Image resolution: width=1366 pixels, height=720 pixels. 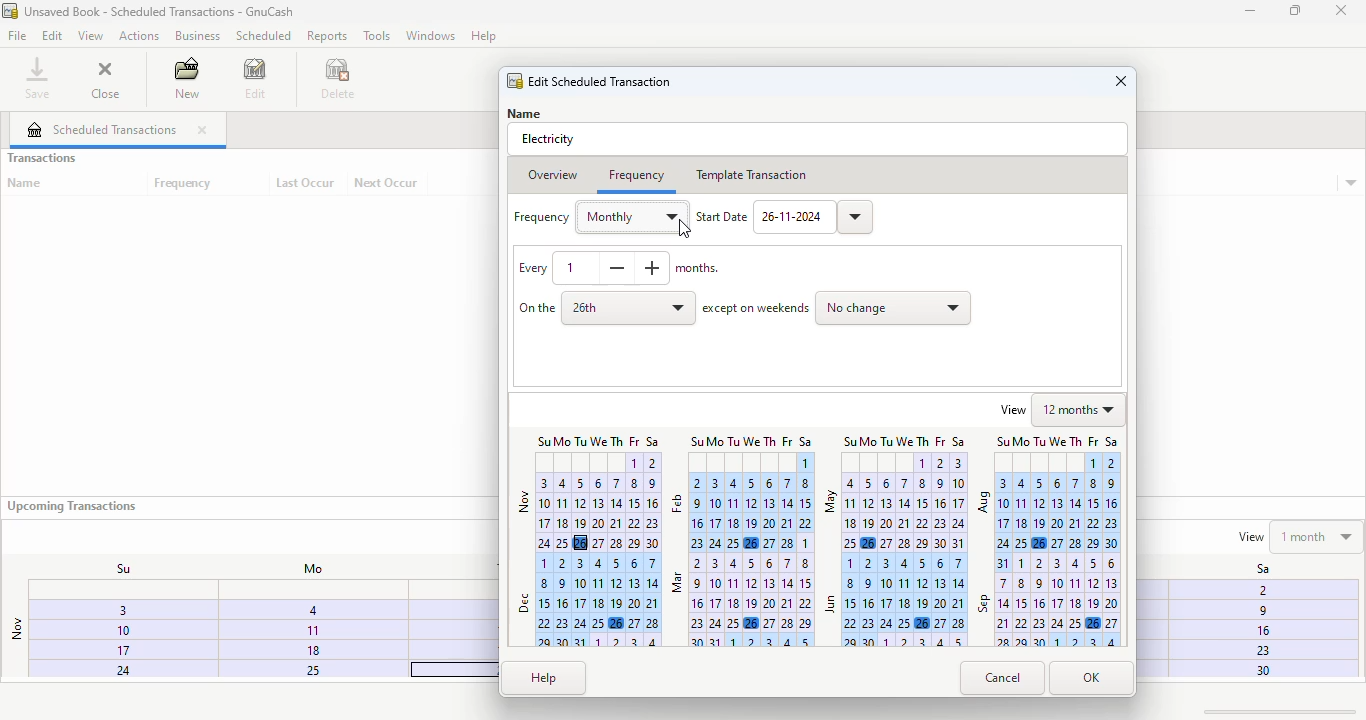 I want to click on 26th, so click(x=629, y=308).